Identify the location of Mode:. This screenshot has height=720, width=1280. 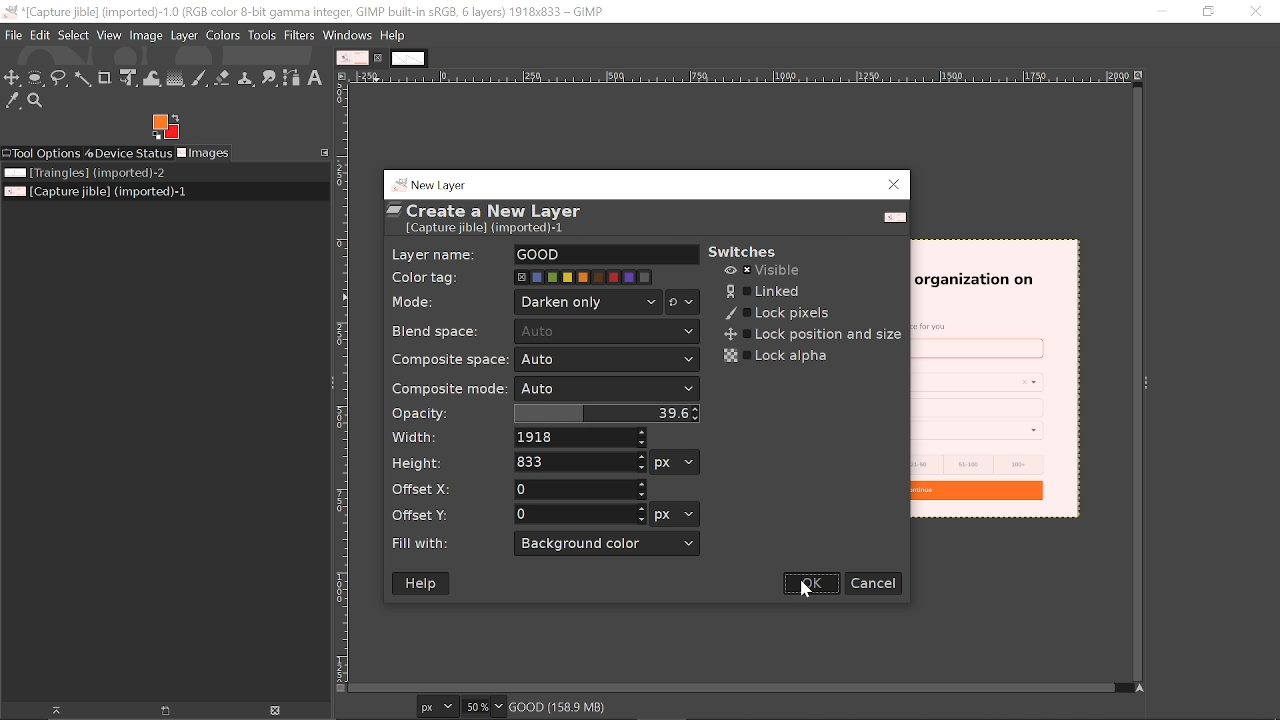
(416, 304).